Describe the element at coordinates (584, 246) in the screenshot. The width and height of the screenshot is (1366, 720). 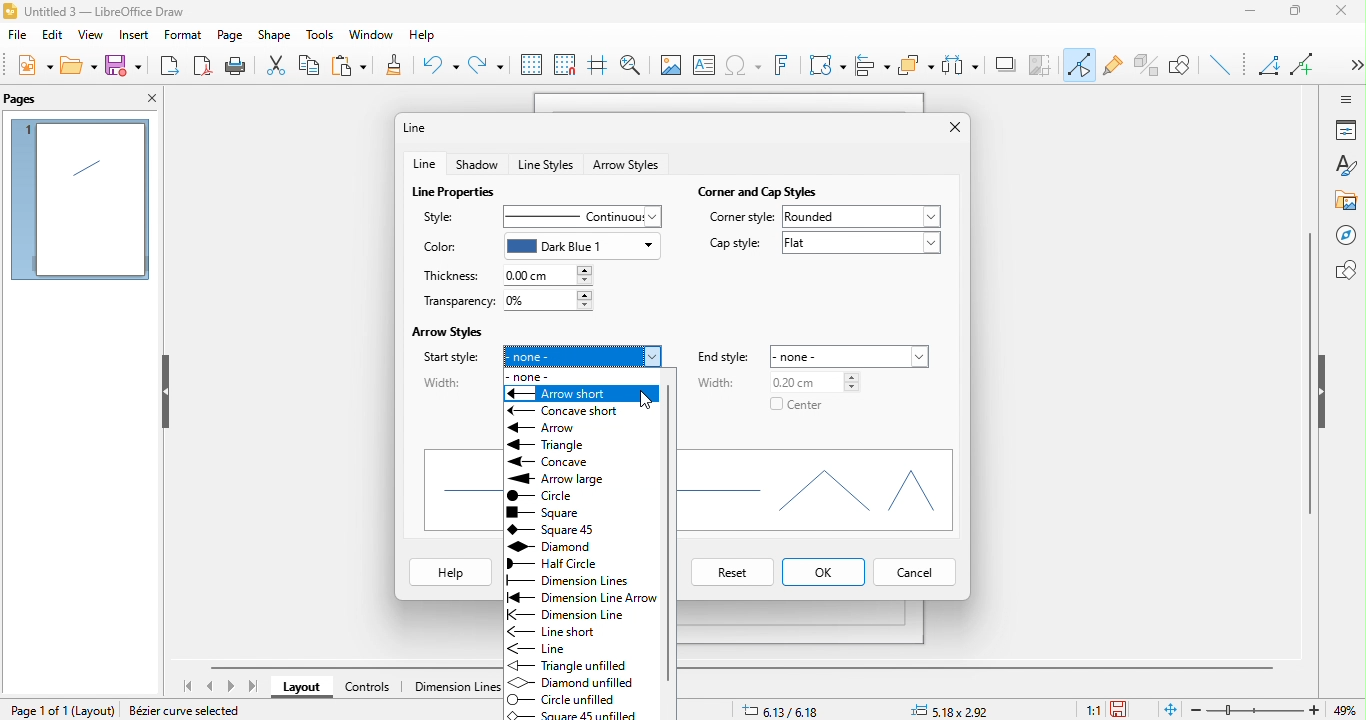
I see `dark blue 1` at that location.